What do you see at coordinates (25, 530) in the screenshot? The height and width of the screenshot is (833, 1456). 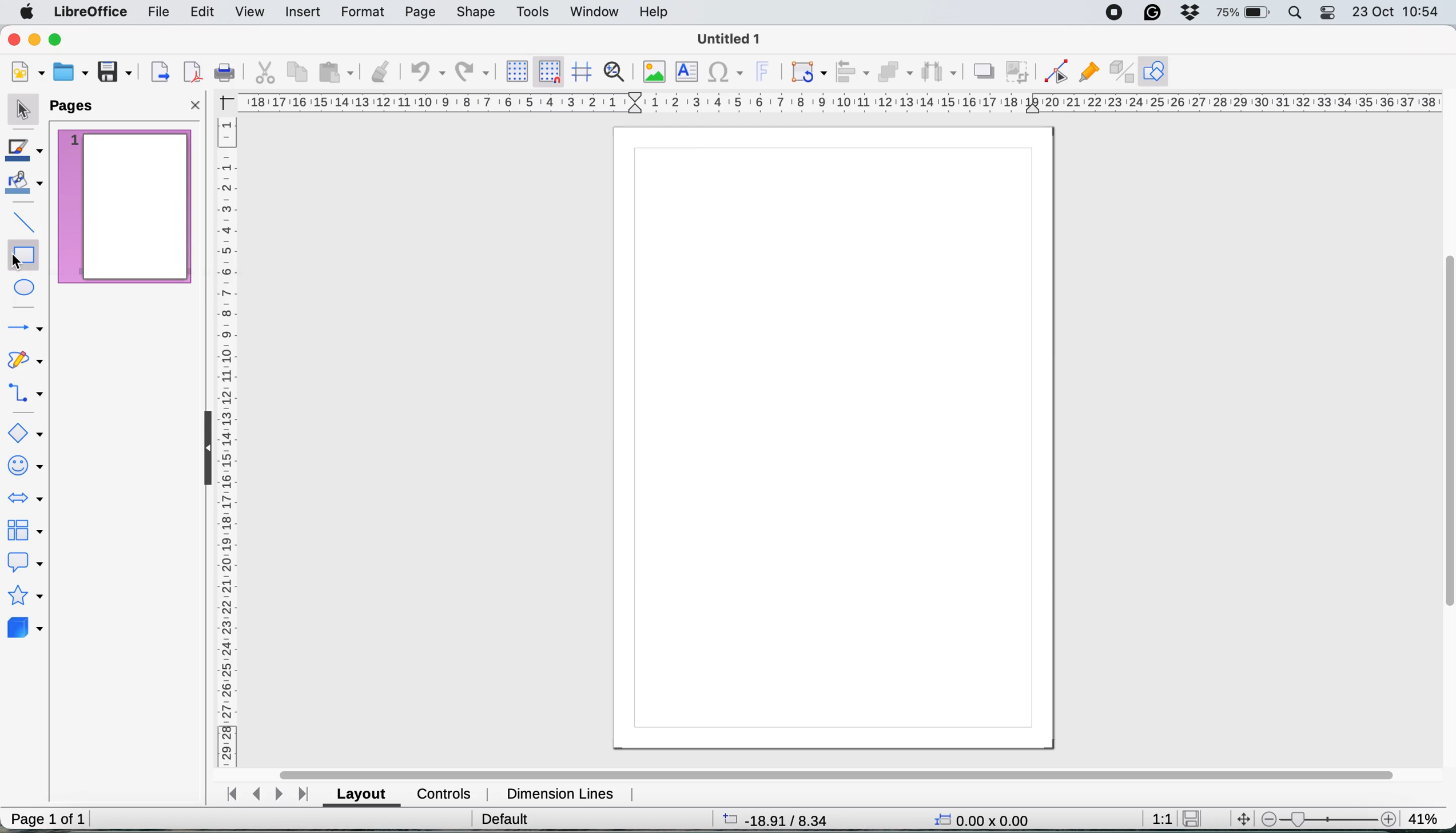 I see `flowchart` at bounding box center [25, 530].